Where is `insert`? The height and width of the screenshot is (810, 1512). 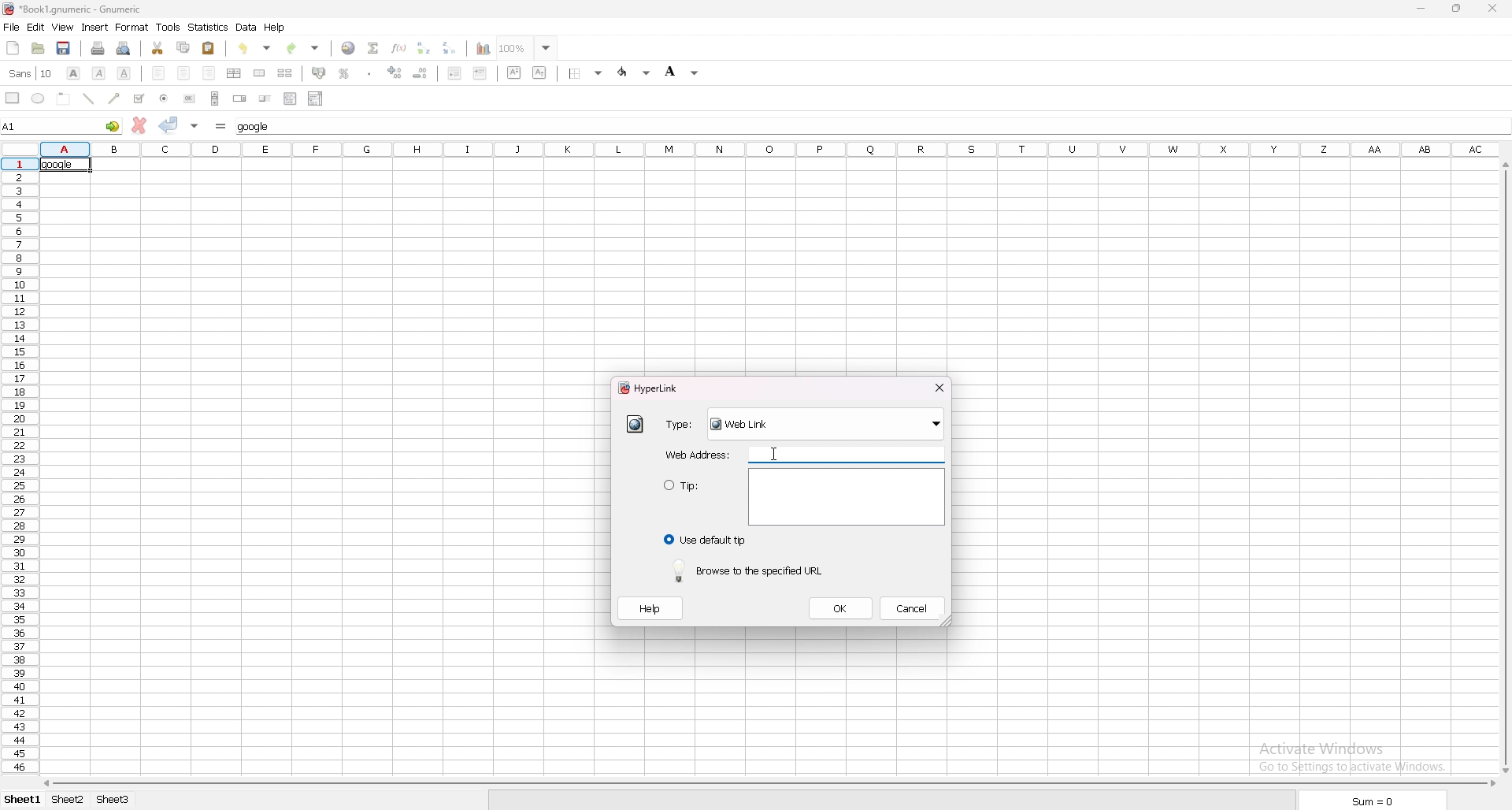 insert is located at coordinates (94, 28).